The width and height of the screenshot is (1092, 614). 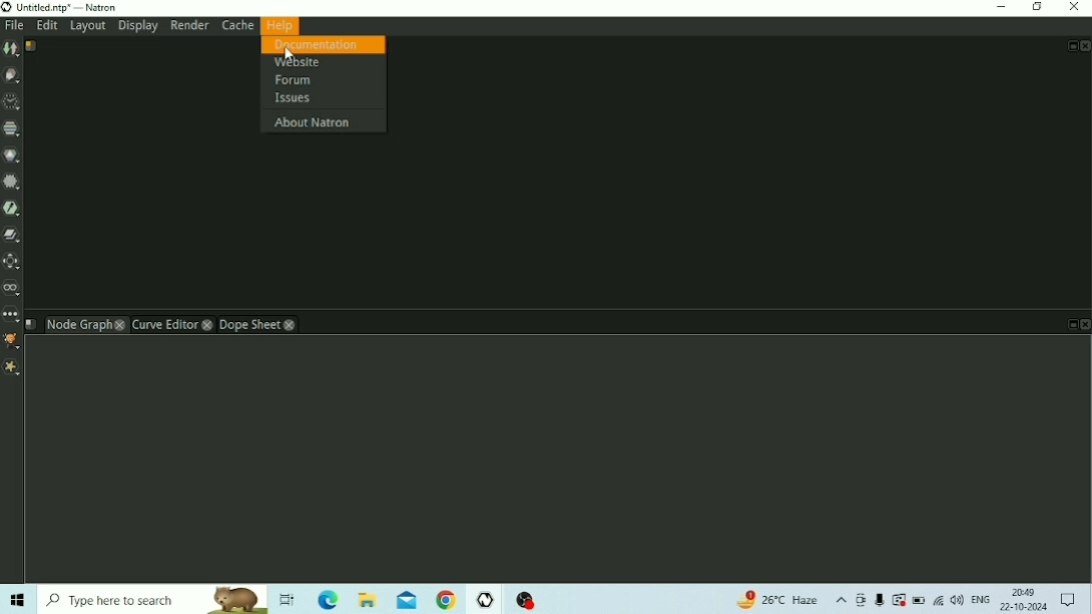 What do you see at coordinates (1069, 324) in the screenshot?
I see `Float Pane` at bounding box center [1069, 324].